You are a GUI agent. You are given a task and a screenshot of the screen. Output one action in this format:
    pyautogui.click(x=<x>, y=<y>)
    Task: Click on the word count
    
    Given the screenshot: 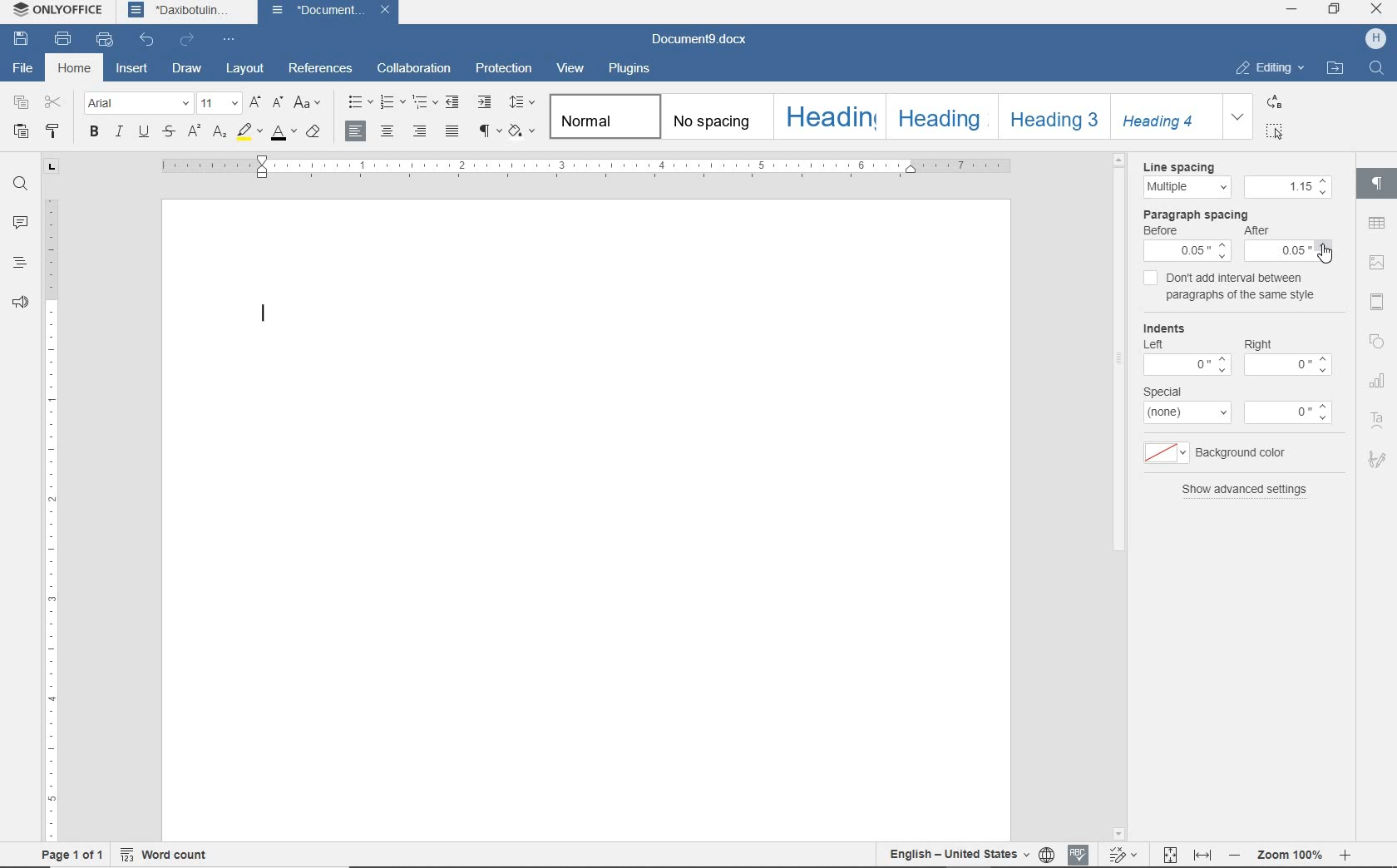 What is the action you would take?
    pyautogui.click(x=163, y=854)
    